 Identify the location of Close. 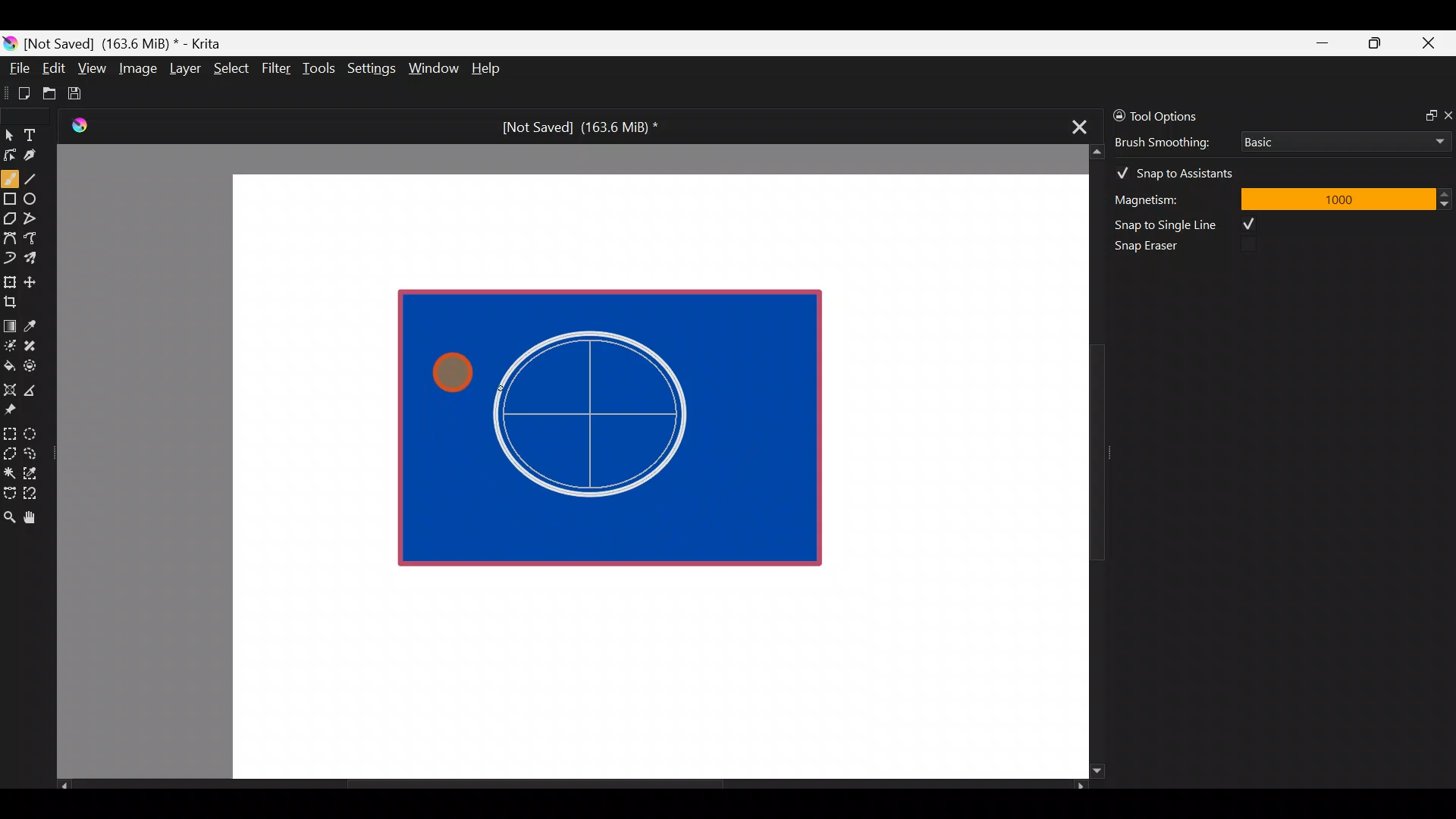
(1429, 46).